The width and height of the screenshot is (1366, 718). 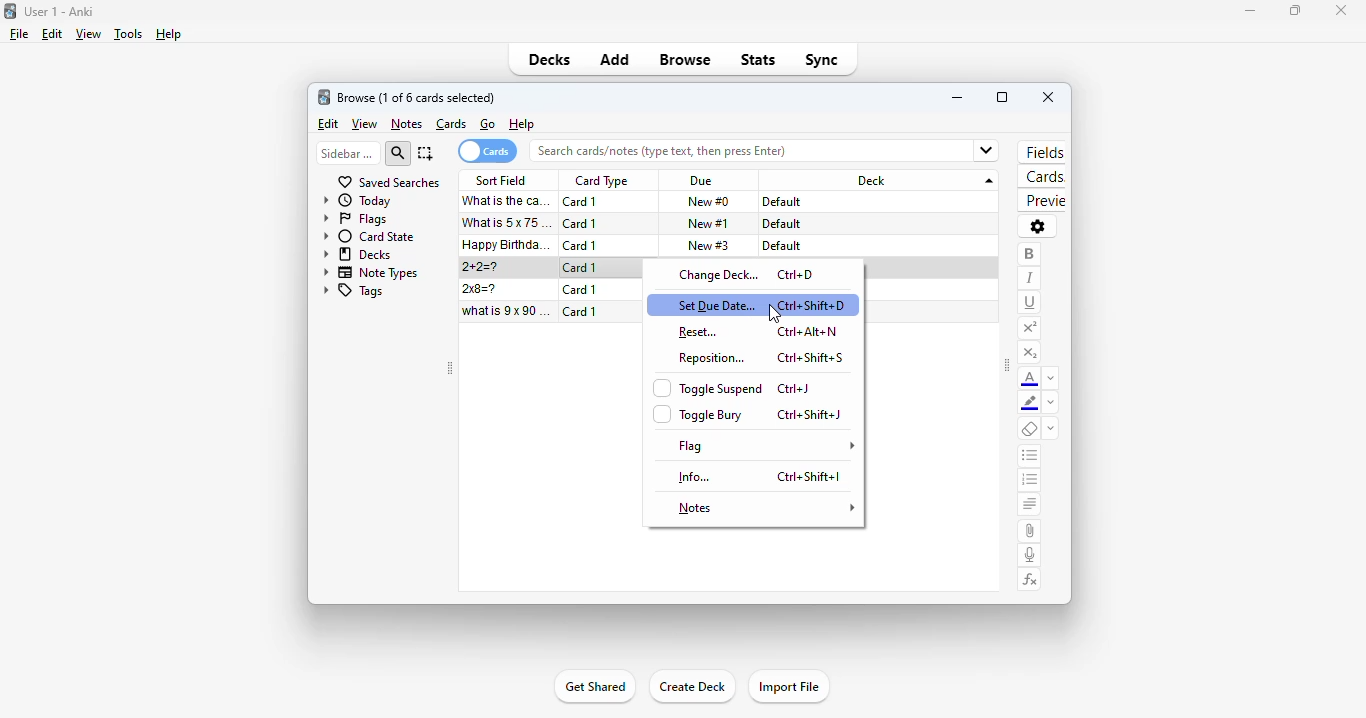 What do you see at coordinates (502, 180) in the screenshot?
I see `sort field` at bounding box center [502, 180].